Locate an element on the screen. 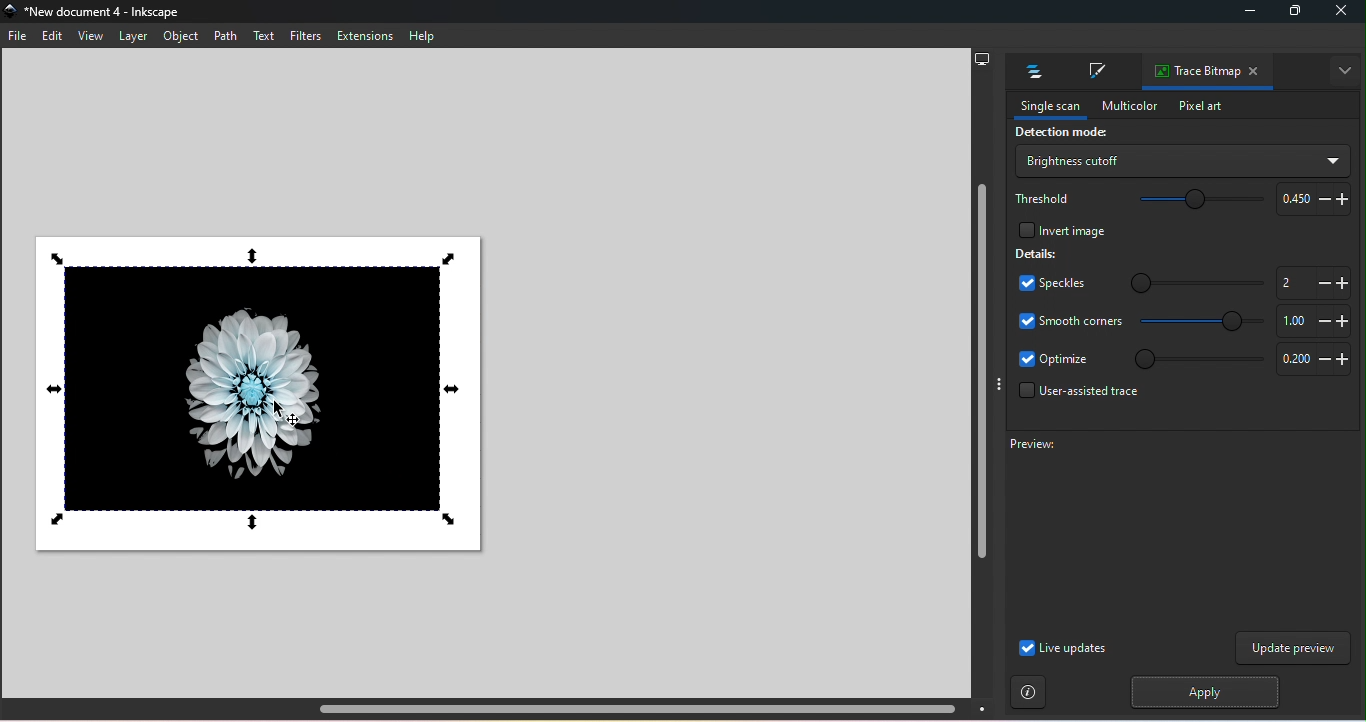  Filters is located at coordinates (304, 35).